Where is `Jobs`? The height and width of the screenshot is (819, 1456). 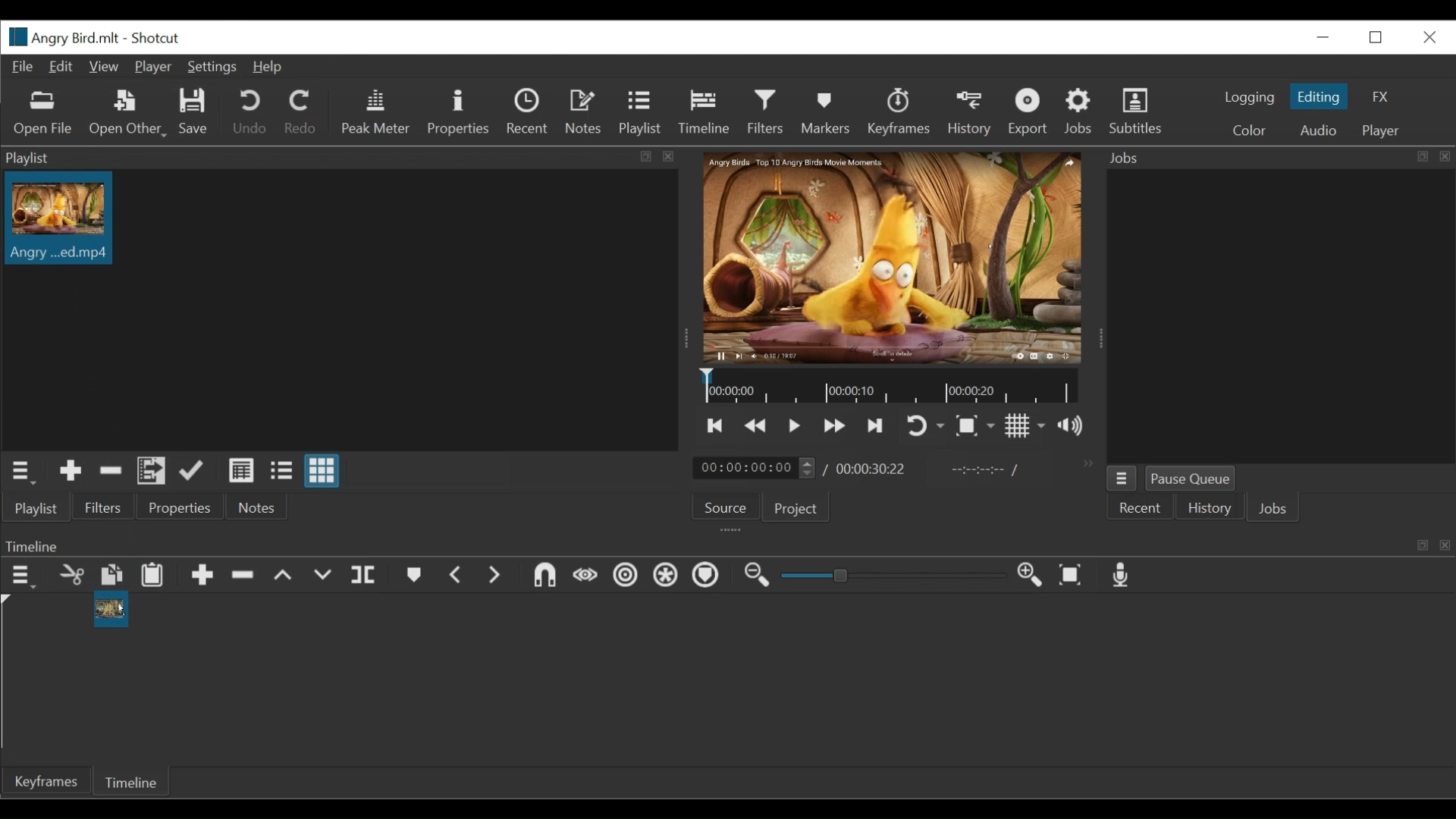
Jobs is located at coordinates (1078, 111).